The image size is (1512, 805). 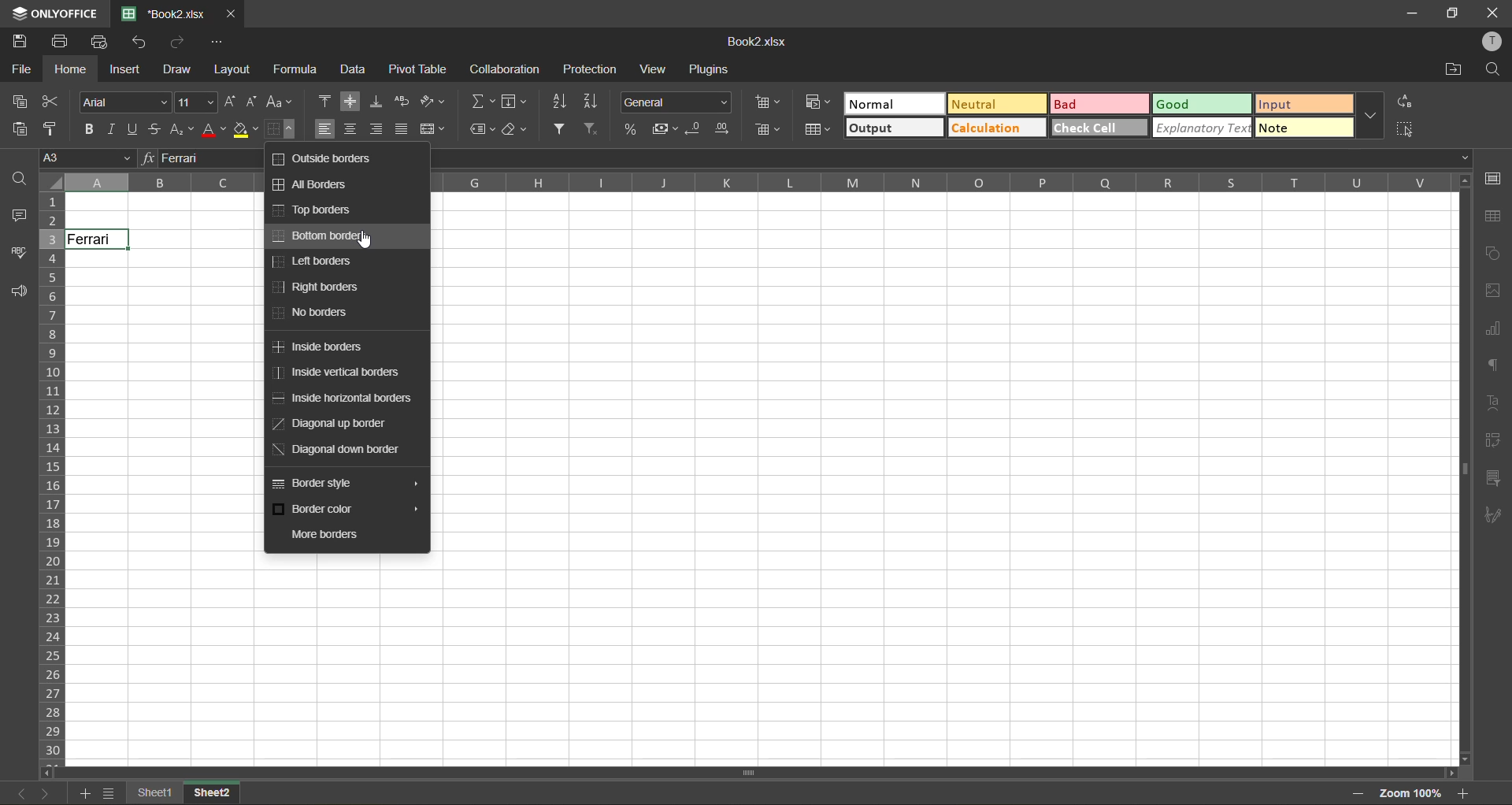 I want to click on change case, so click(x=283, y=102).